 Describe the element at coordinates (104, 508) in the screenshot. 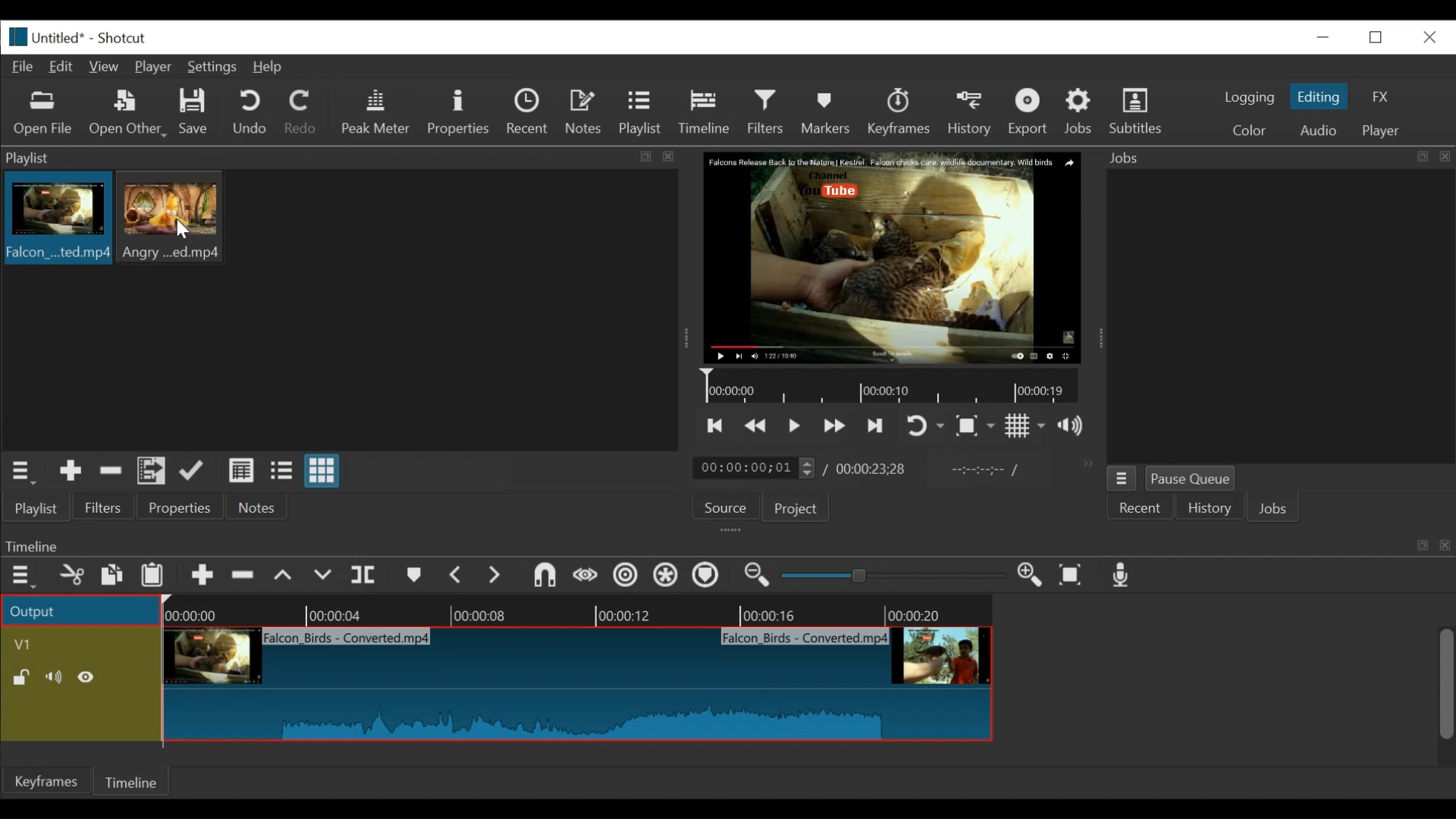

I see `Filters` at that location.